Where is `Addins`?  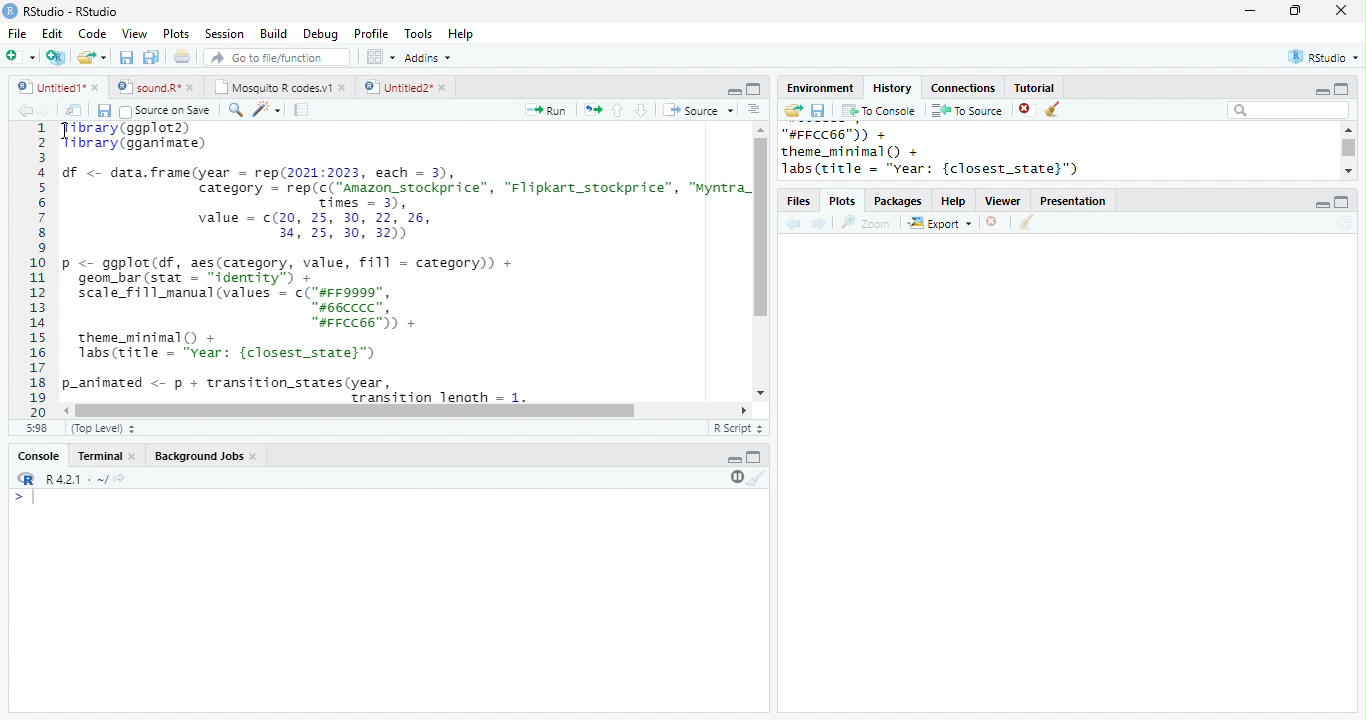
Addins is located at coordinates (428, 57).